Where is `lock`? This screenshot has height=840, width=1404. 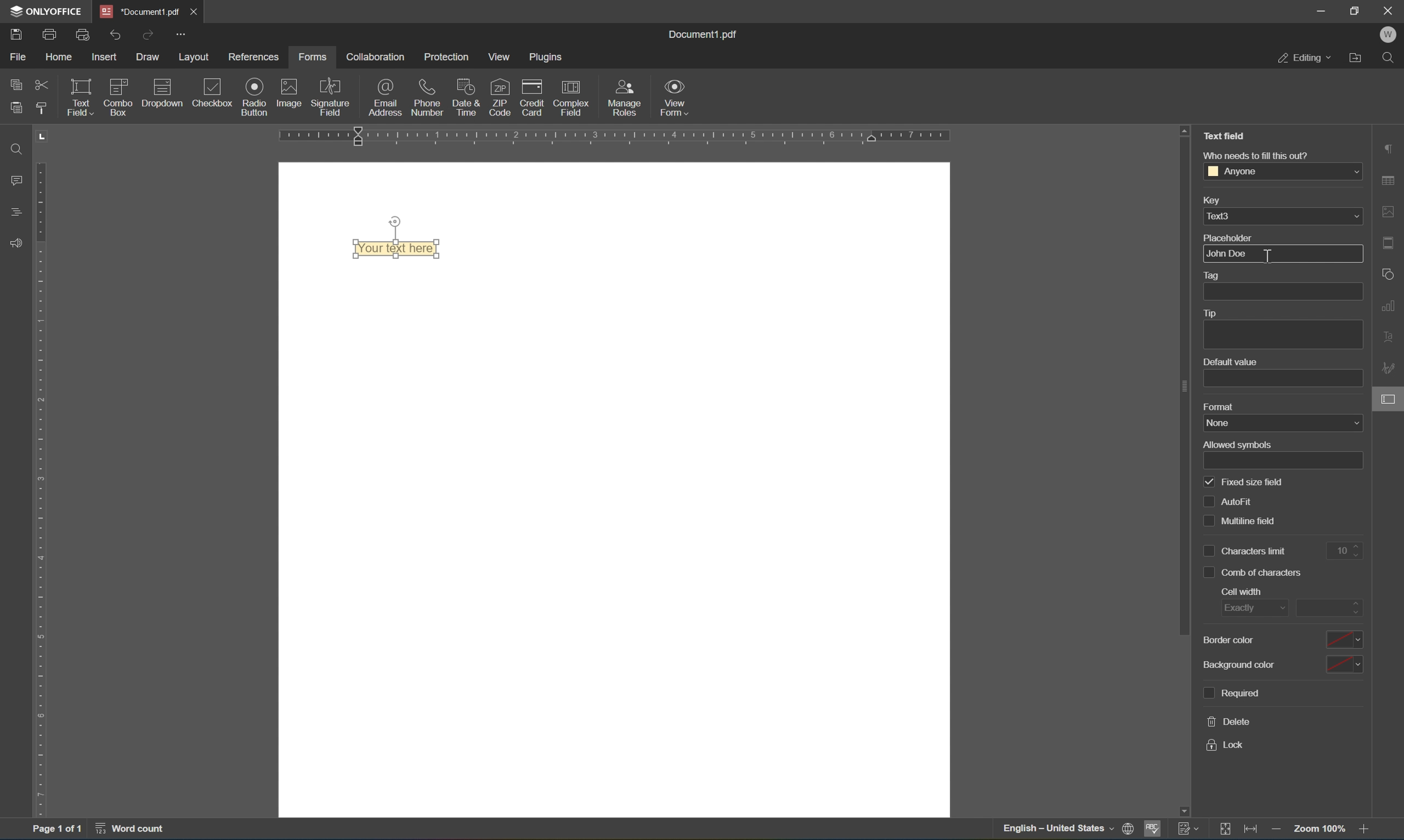
lock is located at coordinates (1226, 748).